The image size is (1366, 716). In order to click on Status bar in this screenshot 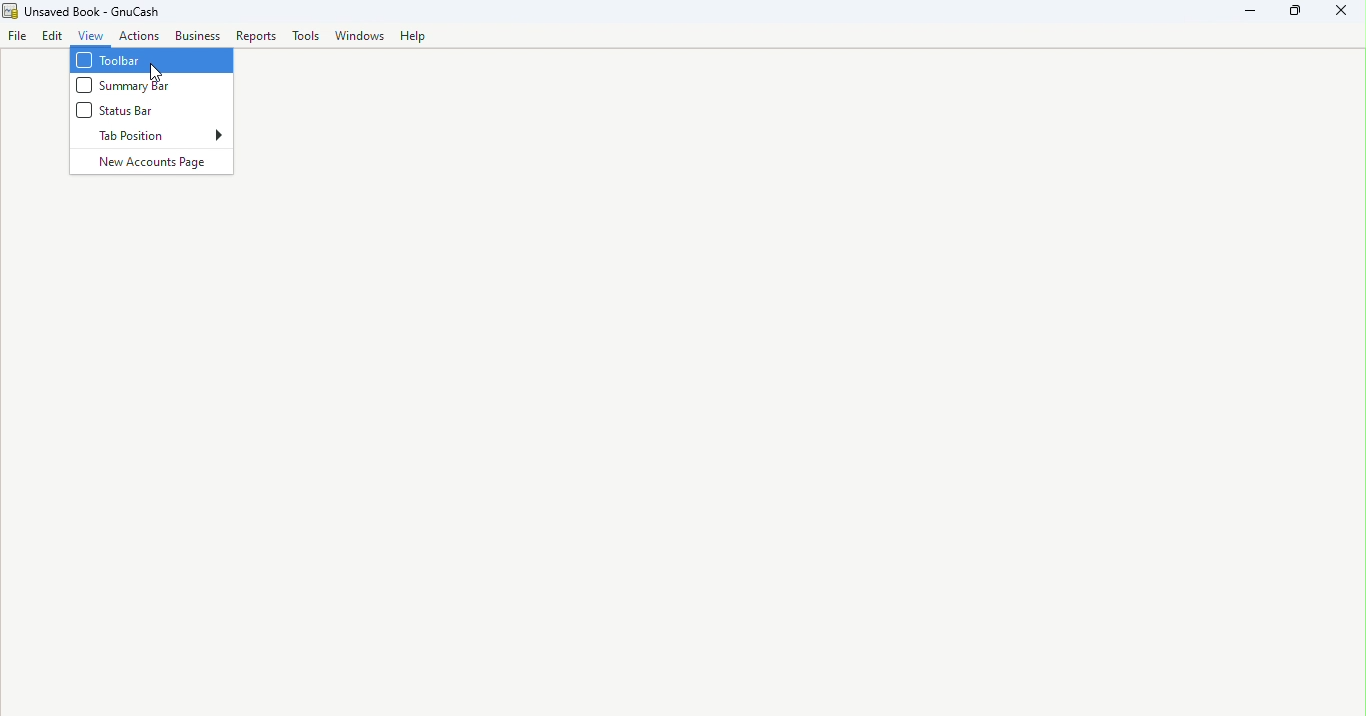, I will do `click(133, 114)`.